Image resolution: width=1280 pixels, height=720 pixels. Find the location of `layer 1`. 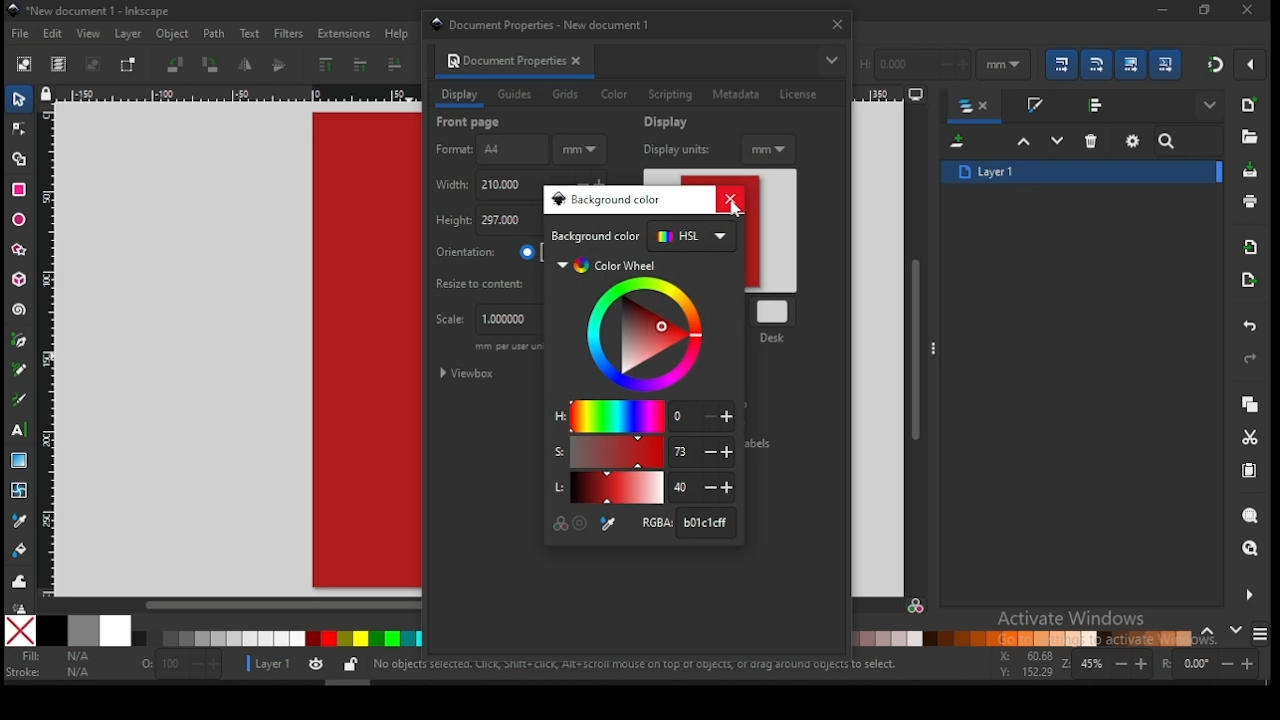

layer 1 is located at coordinates (1082, 171).